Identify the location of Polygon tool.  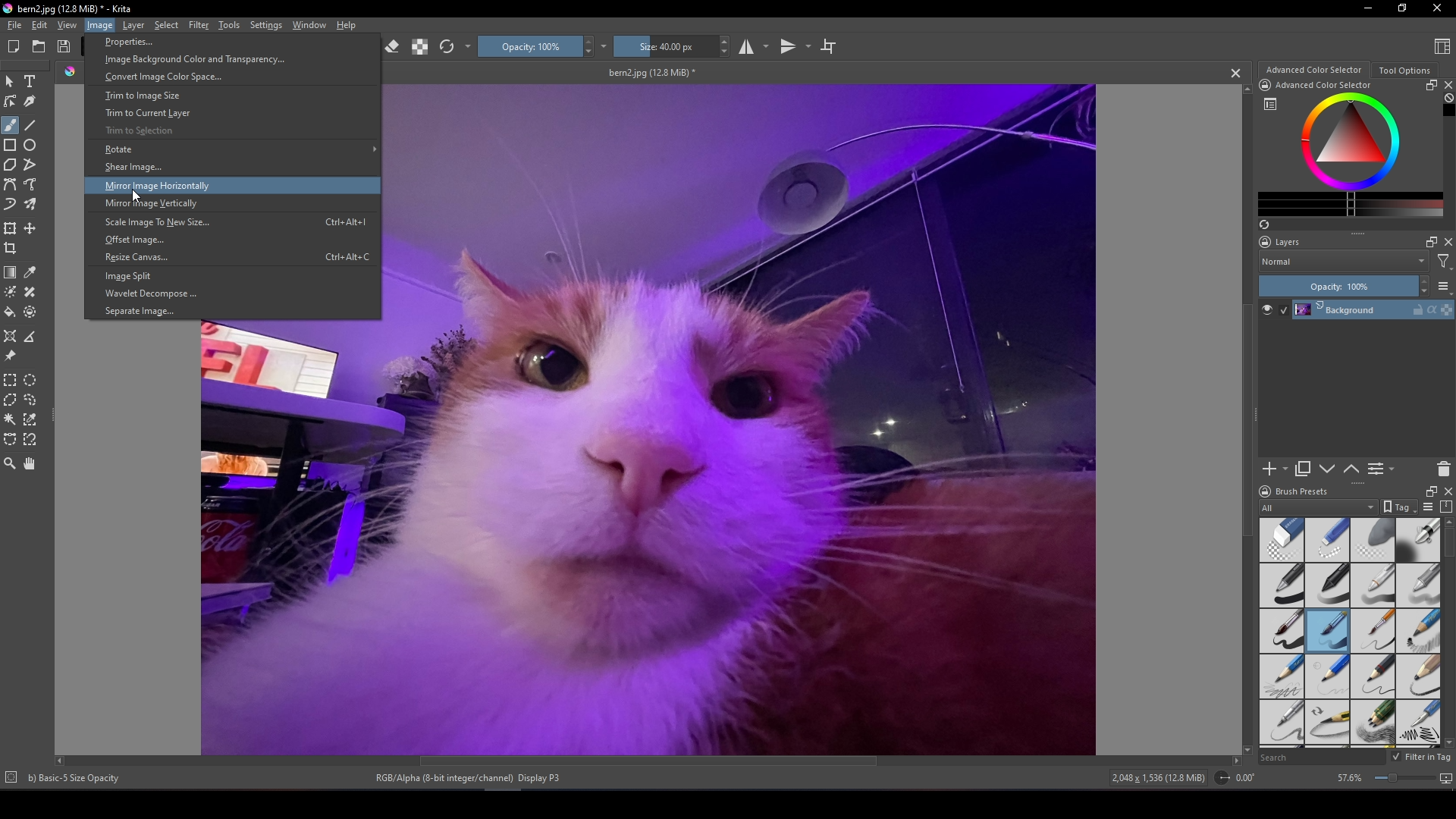
(11, 165).